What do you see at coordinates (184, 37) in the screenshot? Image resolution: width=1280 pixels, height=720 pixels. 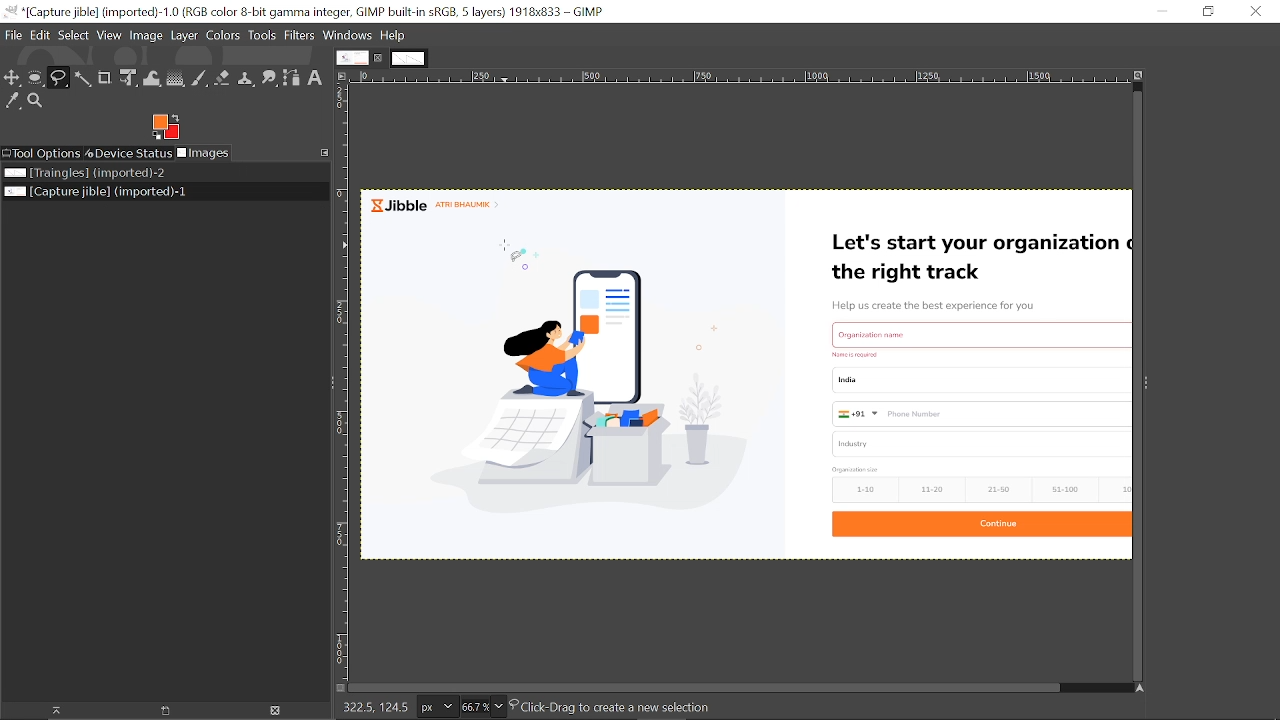 I see `Layer` at bounding box center [184, 37].